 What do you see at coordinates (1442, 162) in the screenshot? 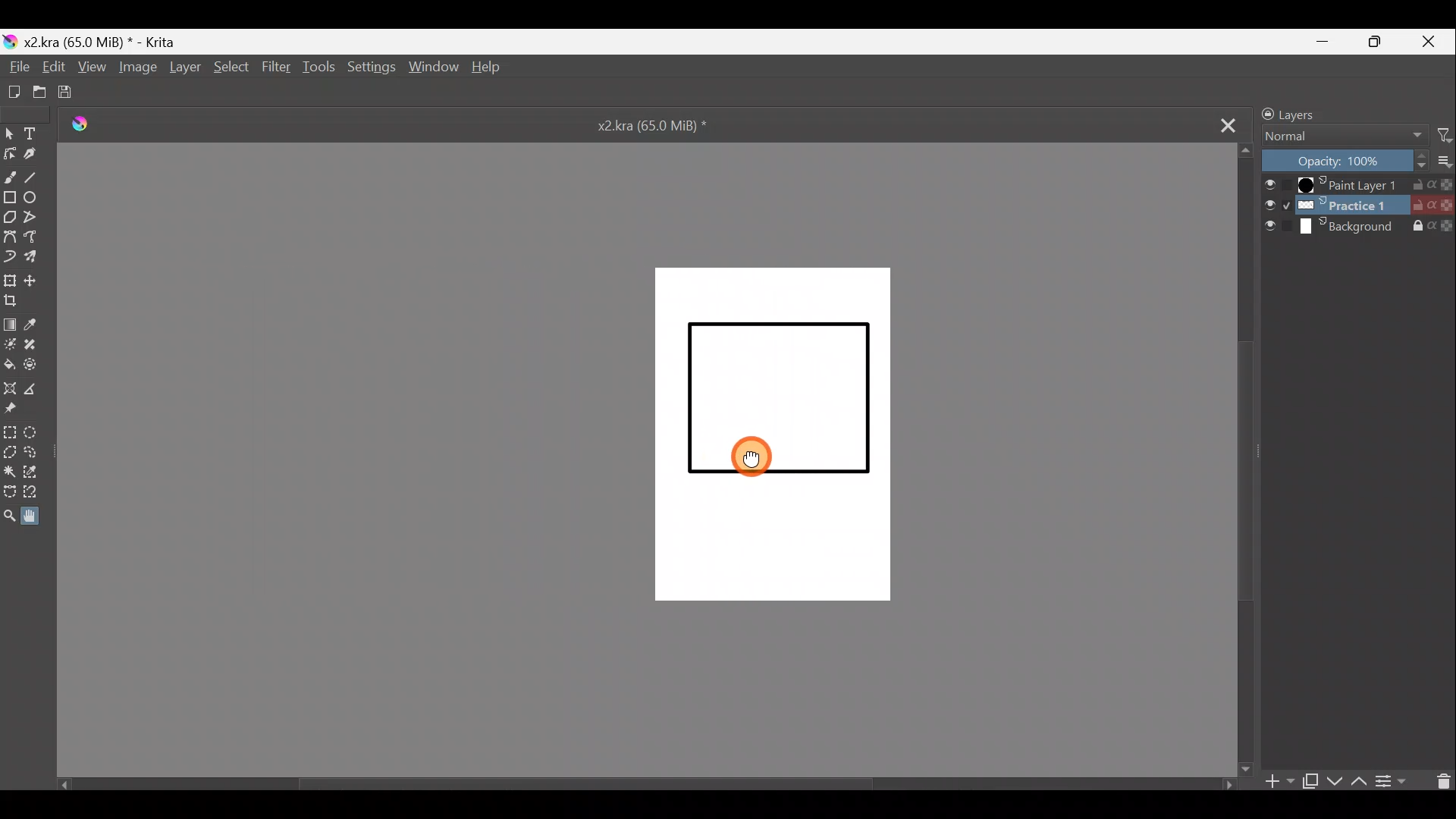
I see `More` at bounding box center [1442, 162].